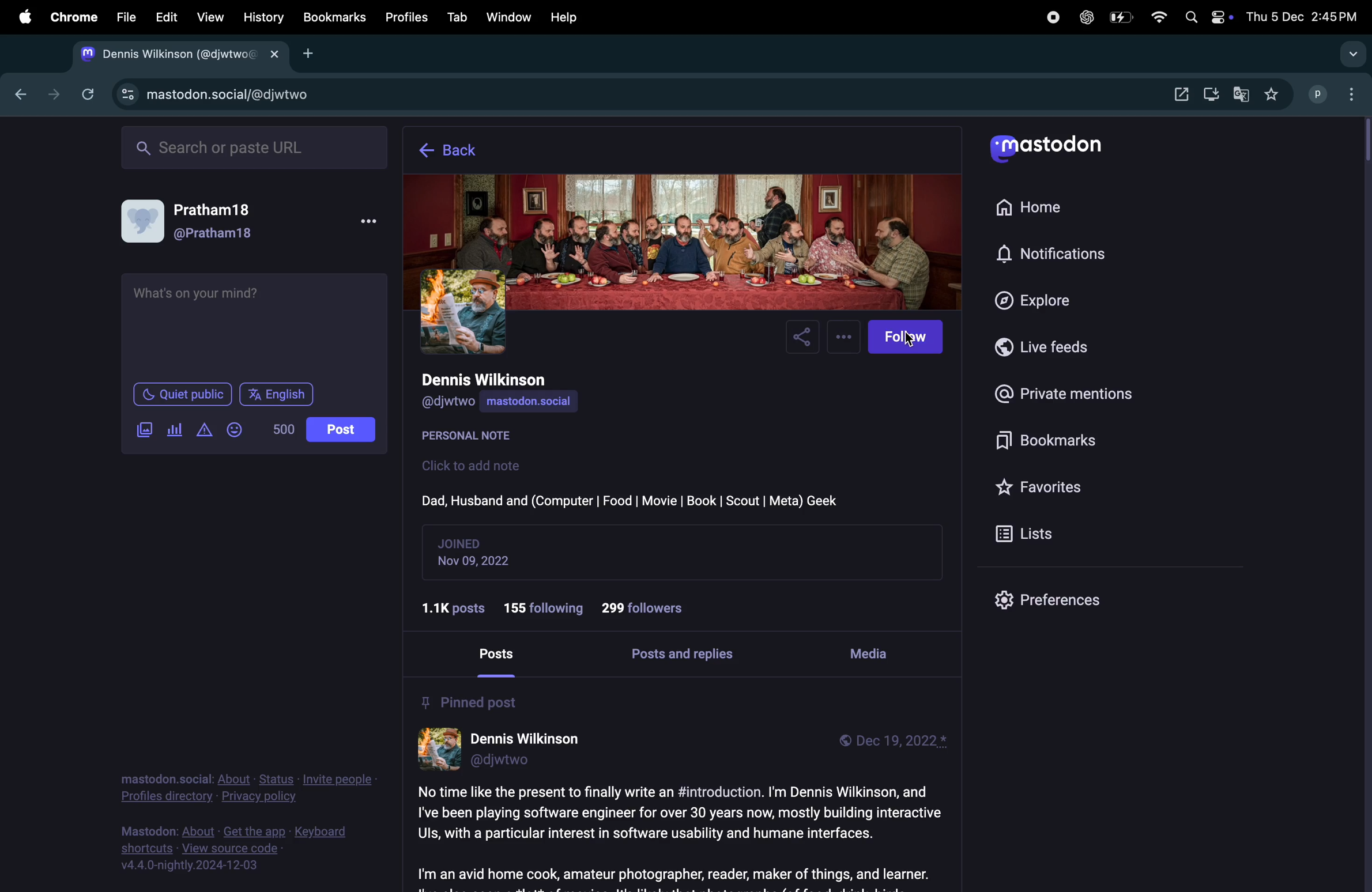 Image resolution: width=1372 pixels, height=892 pixels. I want to click on 1.1 k post, so click(457, 607).